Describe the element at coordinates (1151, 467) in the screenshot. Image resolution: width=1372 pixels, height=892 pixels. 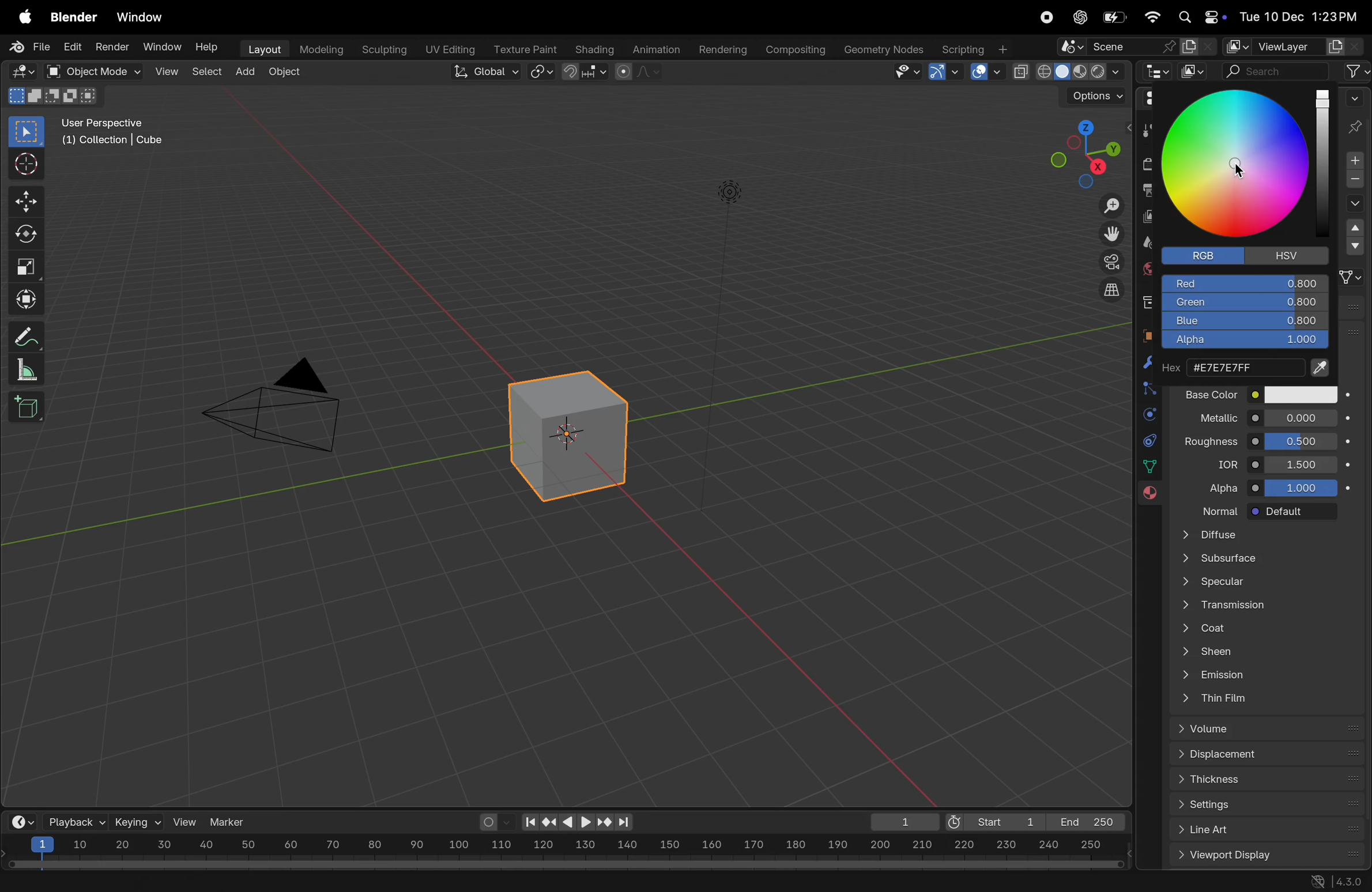
I see `` at that location.